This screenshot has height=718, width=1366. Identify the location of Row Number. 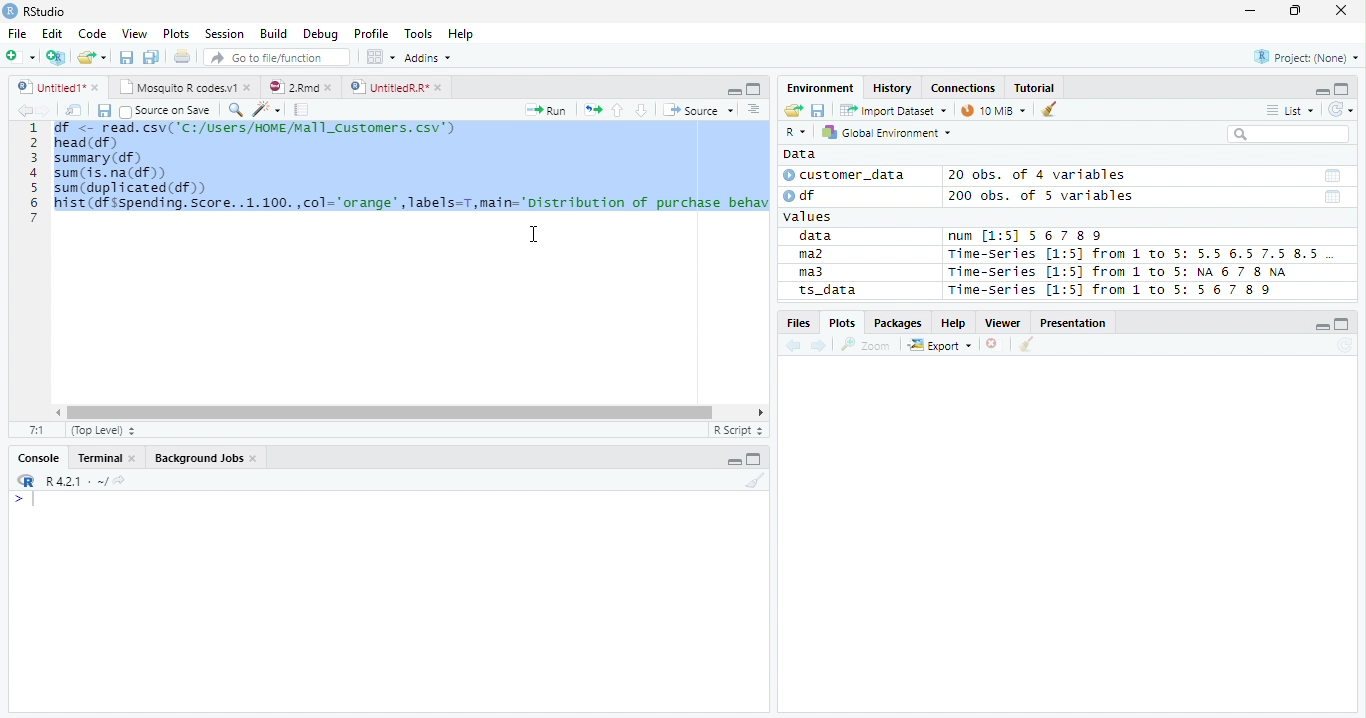
(33, 172).